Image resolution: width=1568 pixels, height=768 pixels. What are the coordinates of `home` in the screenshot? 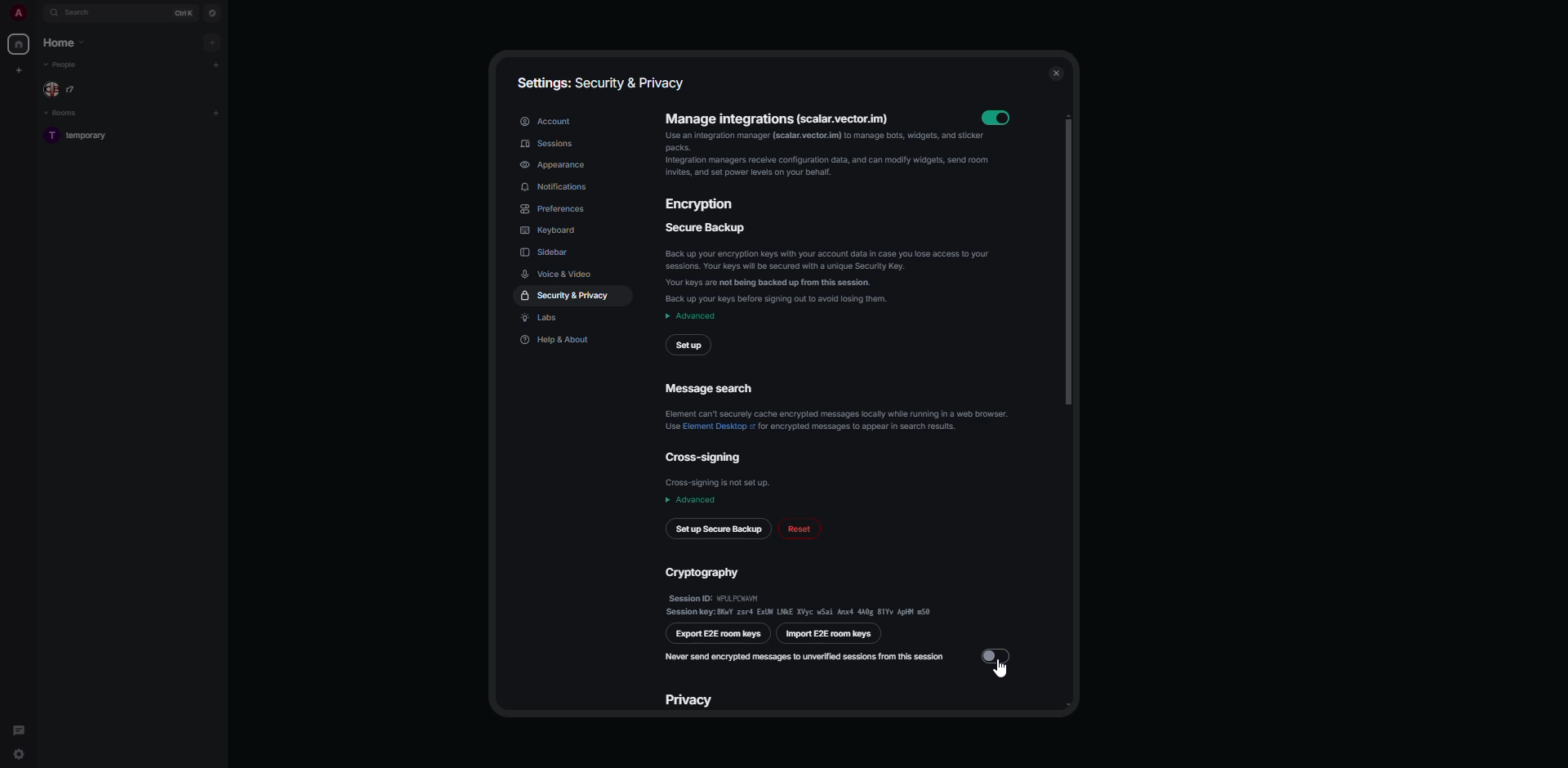 It's located at (65, 42).